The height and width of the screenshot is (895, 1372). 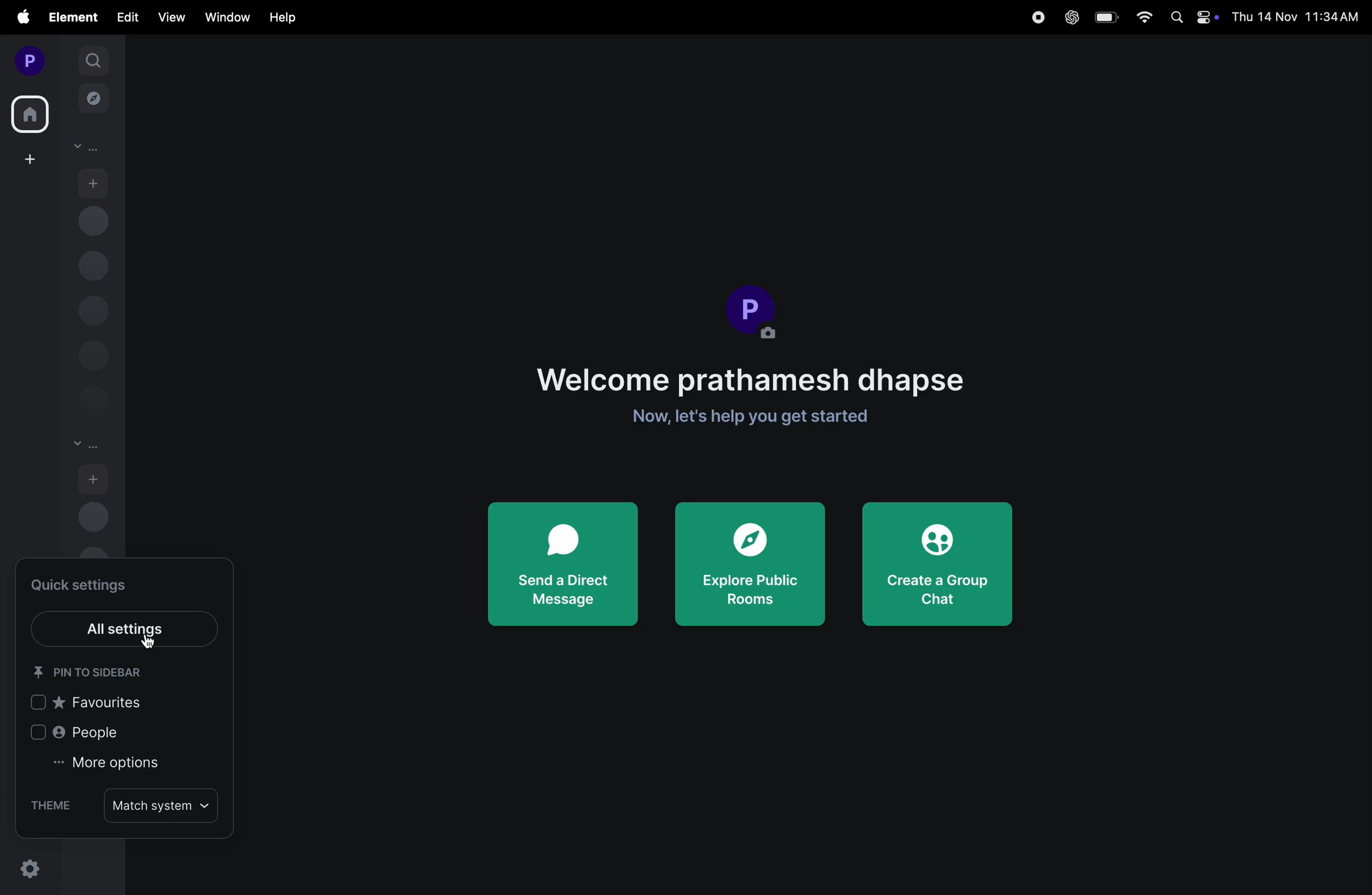 What do you see at coordinates (1069, 17) in the screenshot?
I see `chatgpt` at bounding box center [1069, 17].